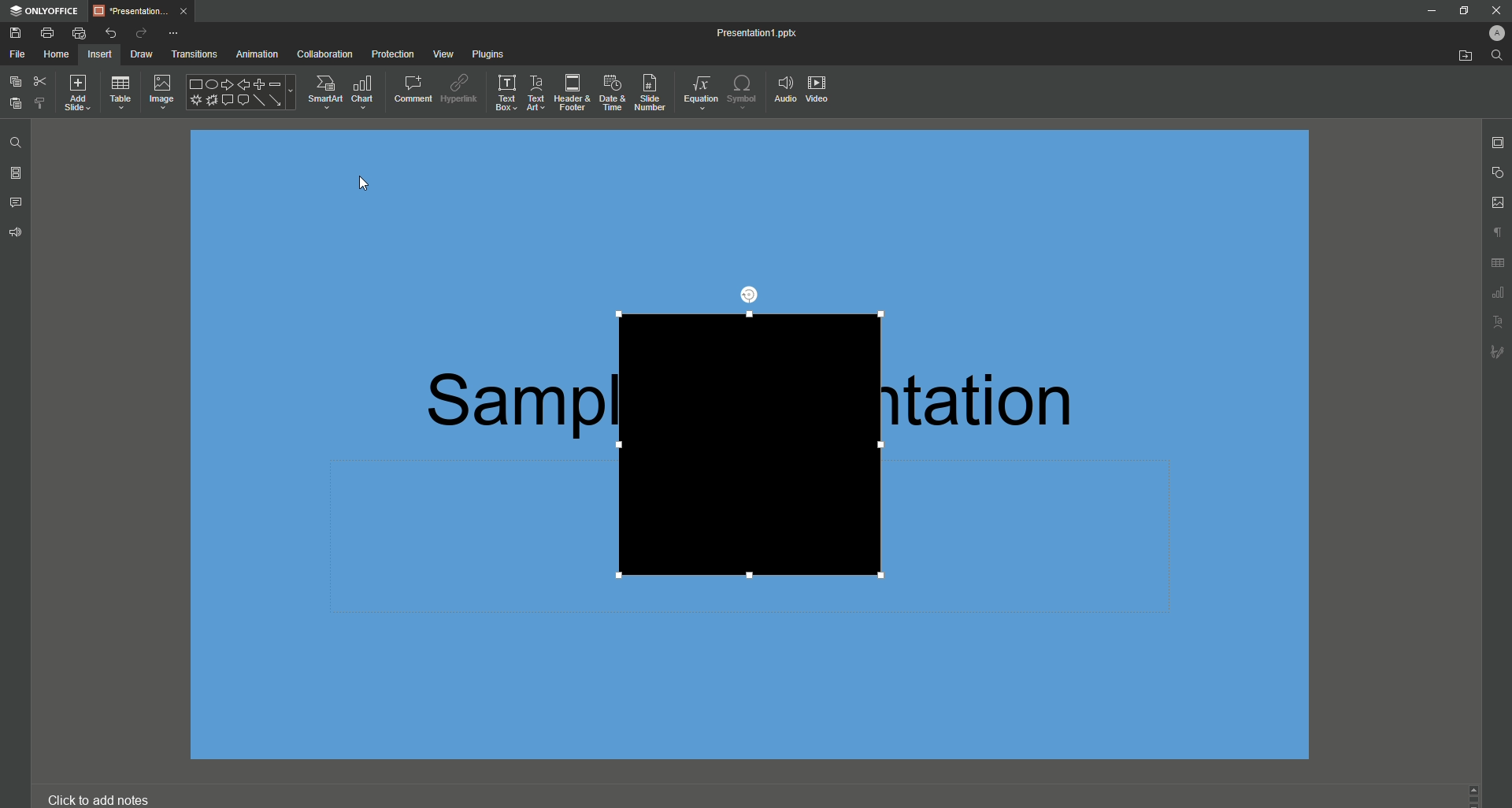 Image resolution: width=1512 pixels, height=808 pixels. Describe the element at coordinates (1497, 351) in the screenshot. I see `Signature` at that location.